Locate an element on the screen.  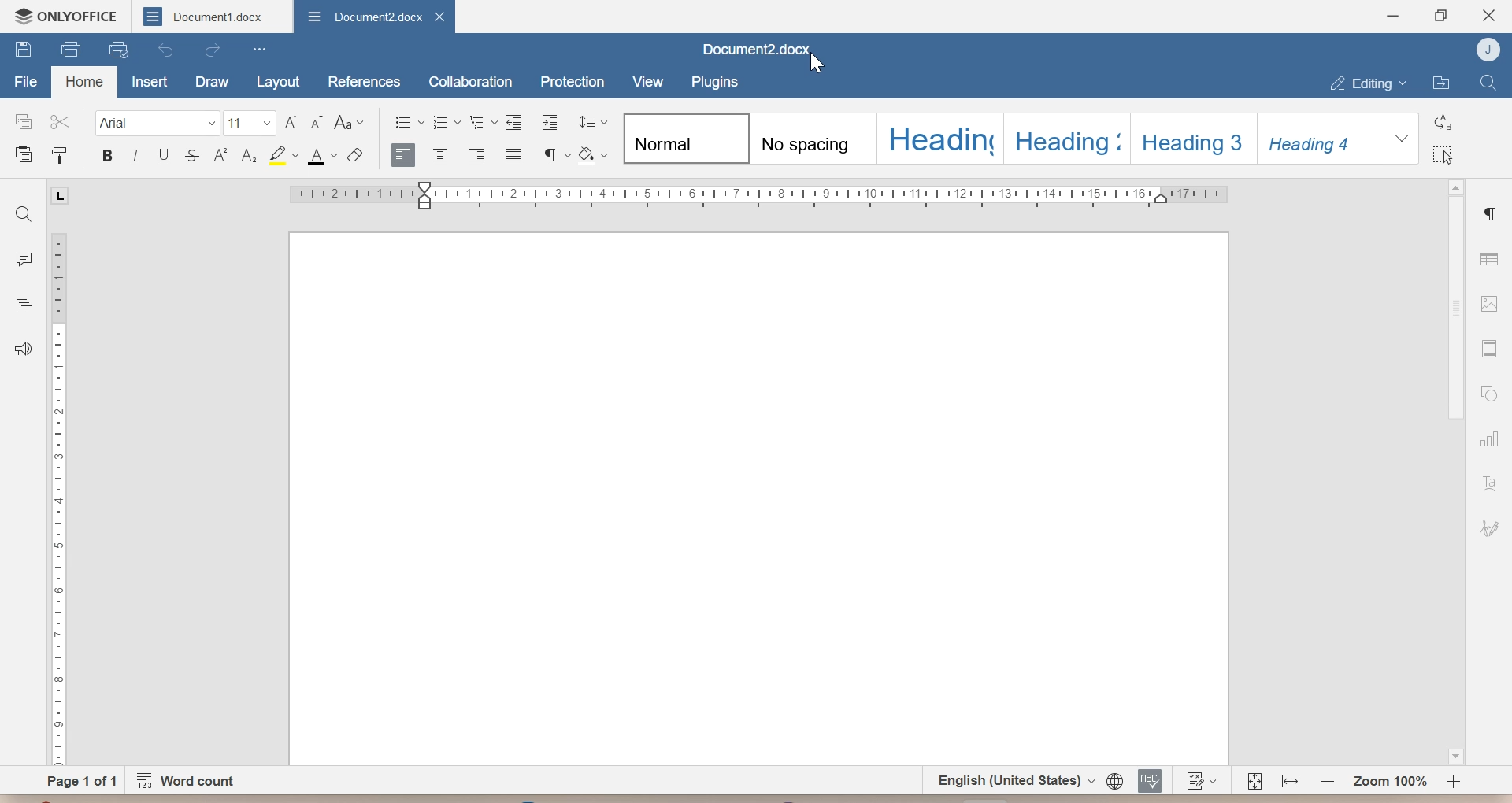
Numbering is located at coordinates (446, 123).